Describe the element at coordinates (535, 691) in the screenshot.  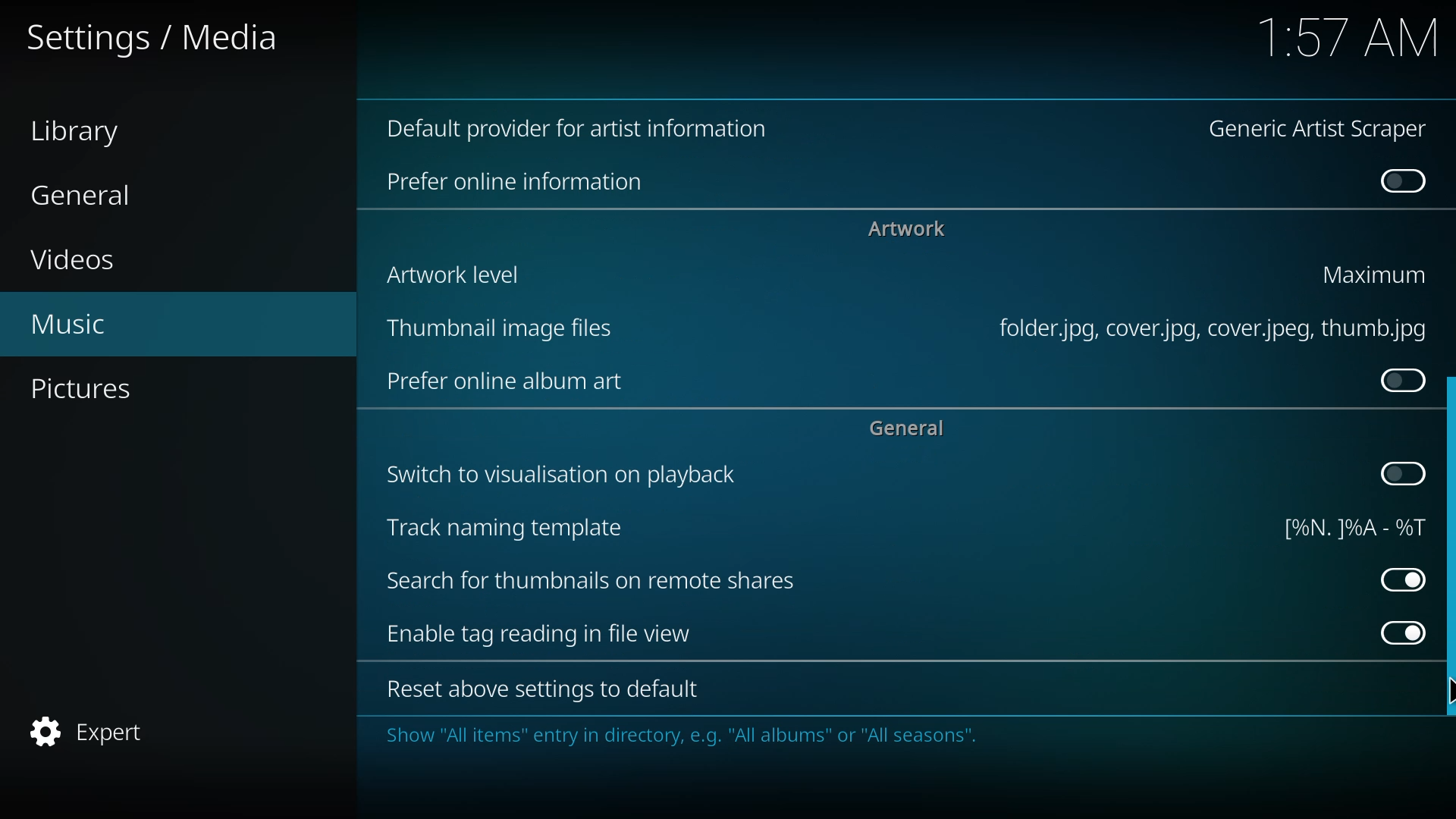
I see `reset to default` at that location.